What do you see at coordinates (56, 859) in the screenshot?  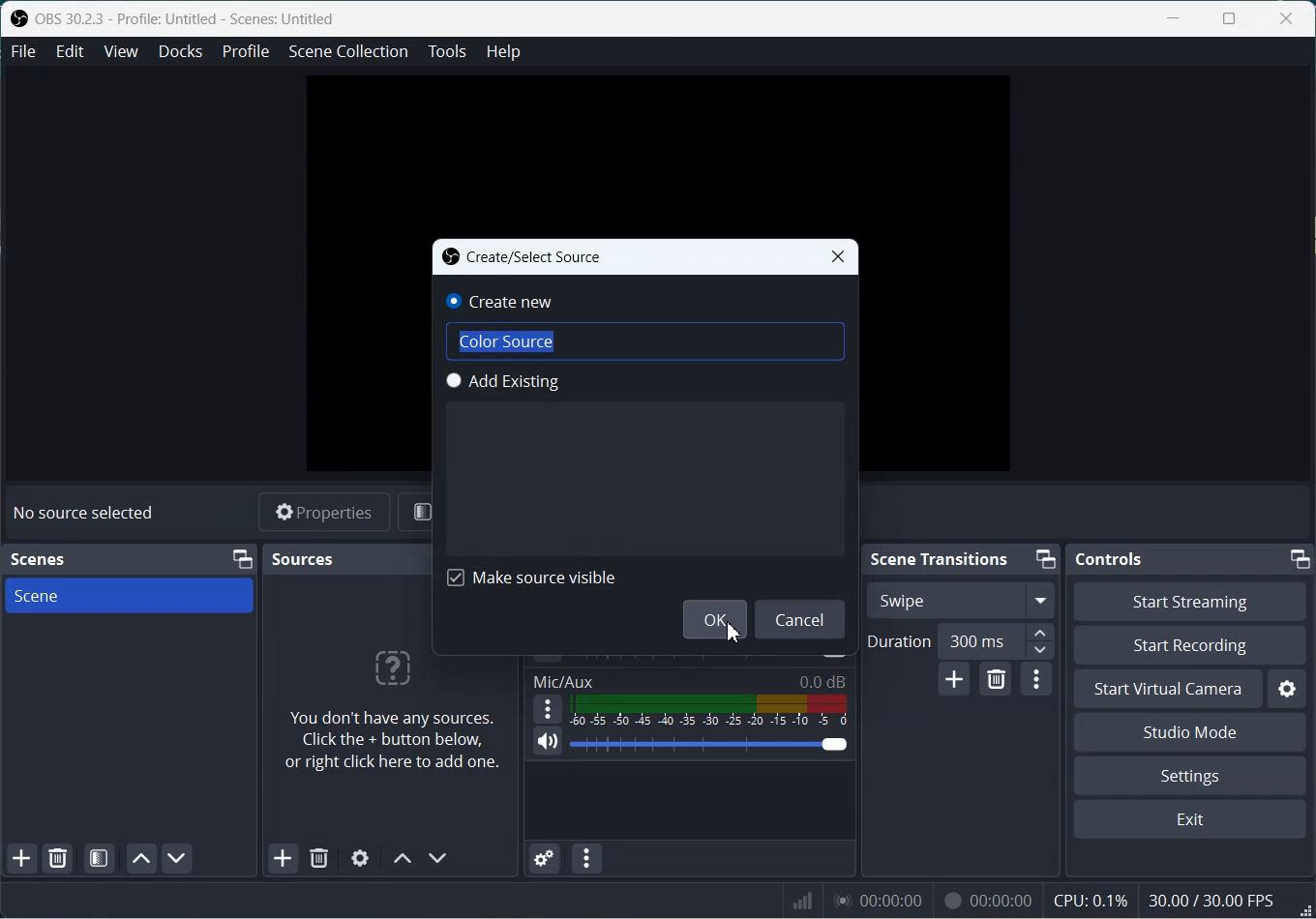 I see `Remove selected Scene` at bounding box center [56, 859].